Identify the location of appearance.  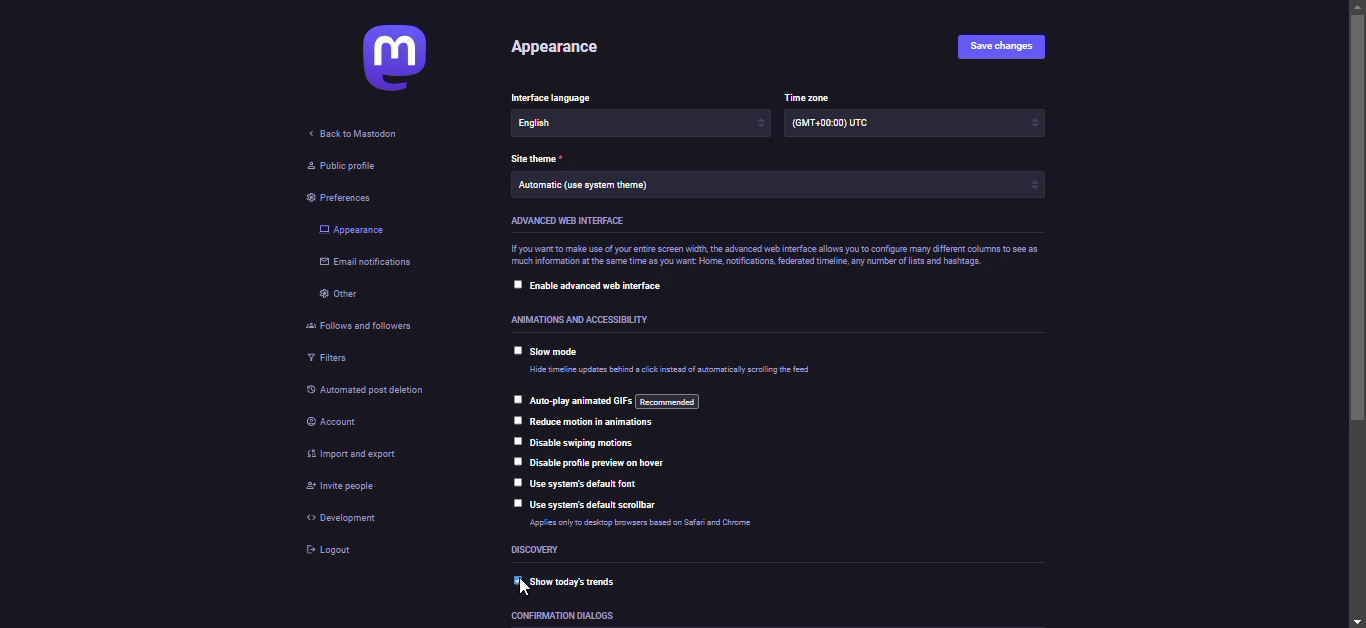
(563, 49).